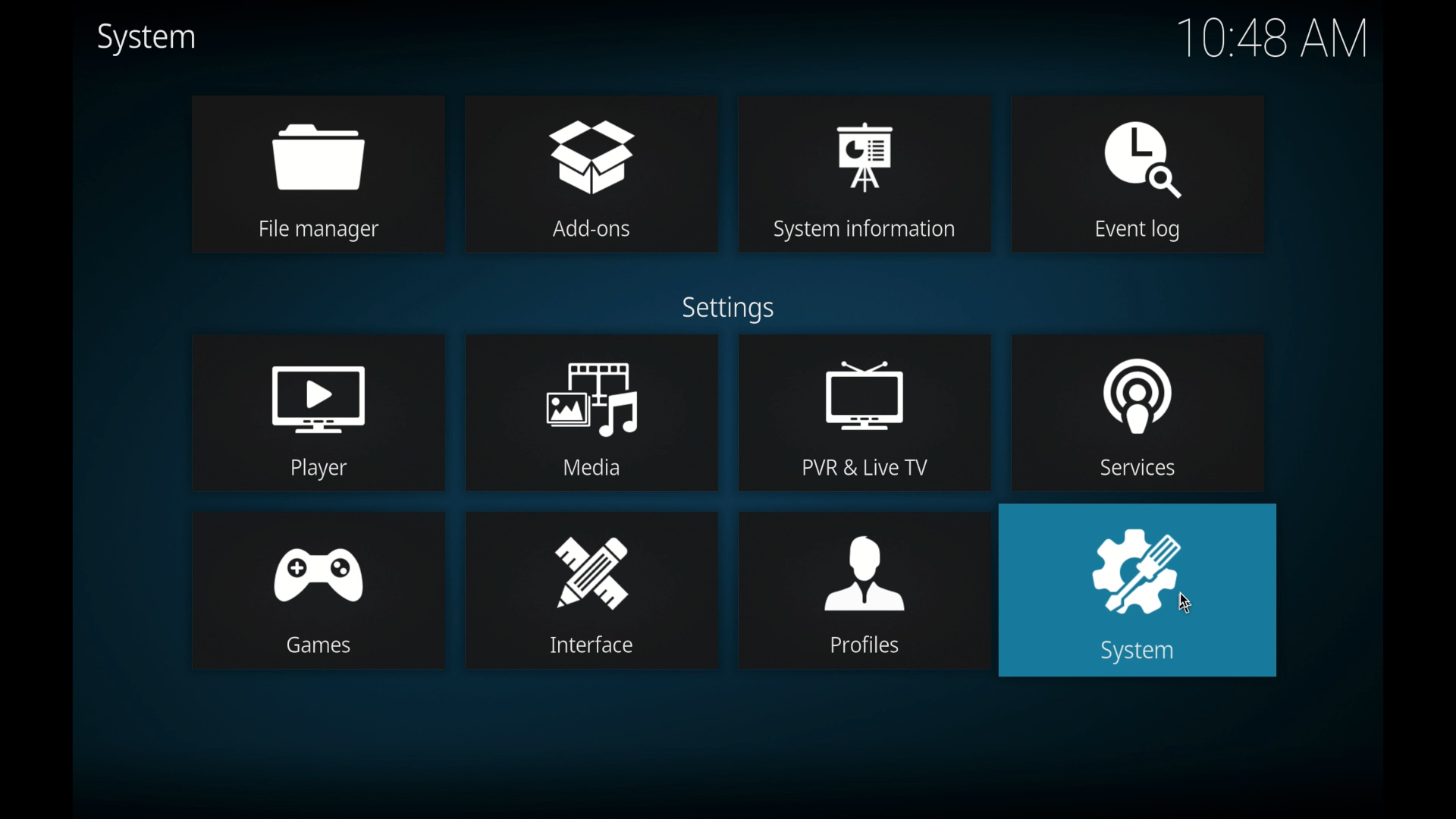 The height and width of the screenshot is (819, 1456). I want to click on system, so click(1141, 593).